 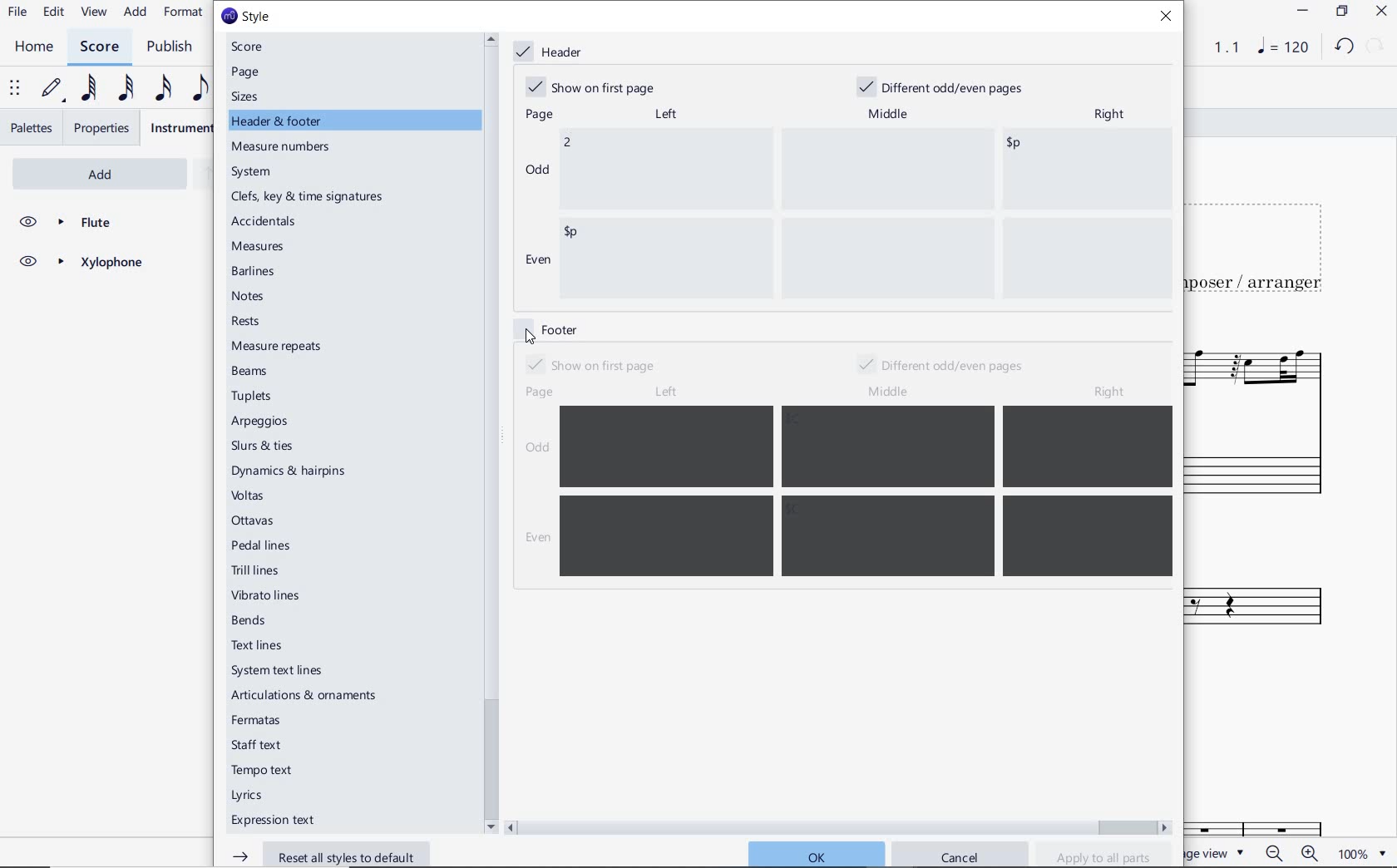 I want to click on page, so click(x=536, y=116).